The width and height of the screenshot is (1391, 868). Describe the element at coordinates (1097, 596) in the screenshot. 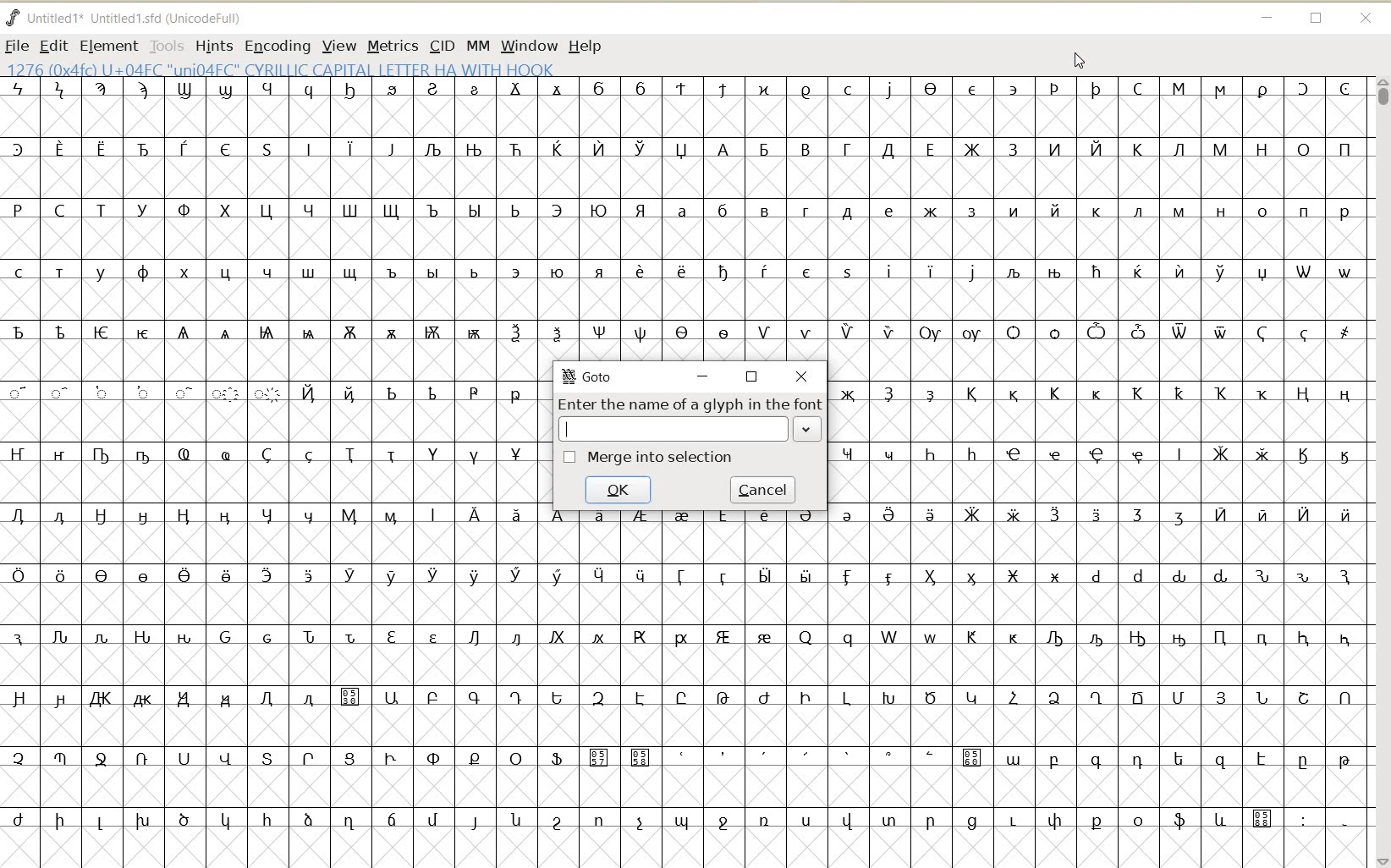

I see `glyph characters` at that location.